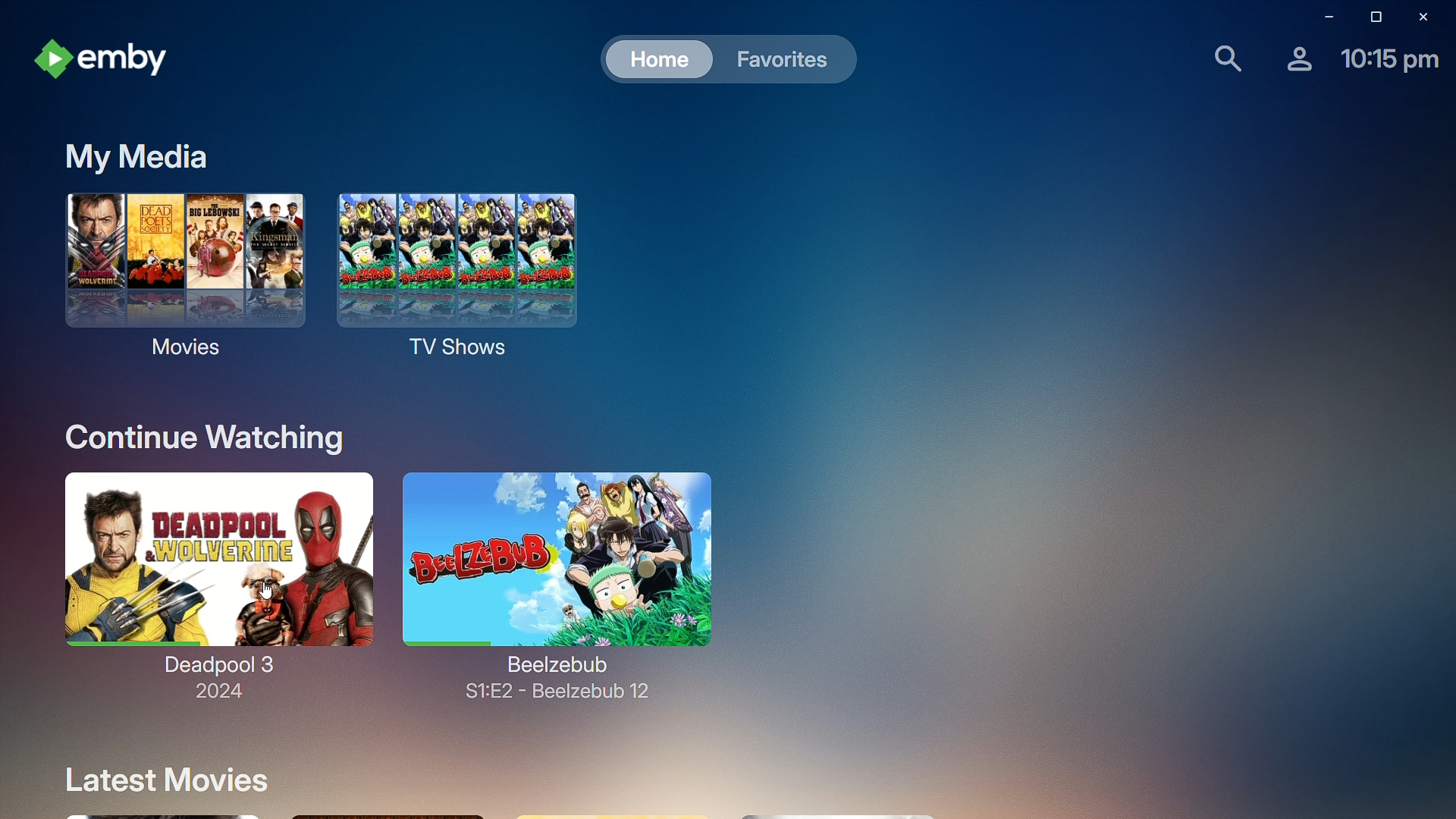 This screenshot has height=819, width=1456. Describe the element at coordinates (102, 61) in the screenshot. I see `emby` at that location.